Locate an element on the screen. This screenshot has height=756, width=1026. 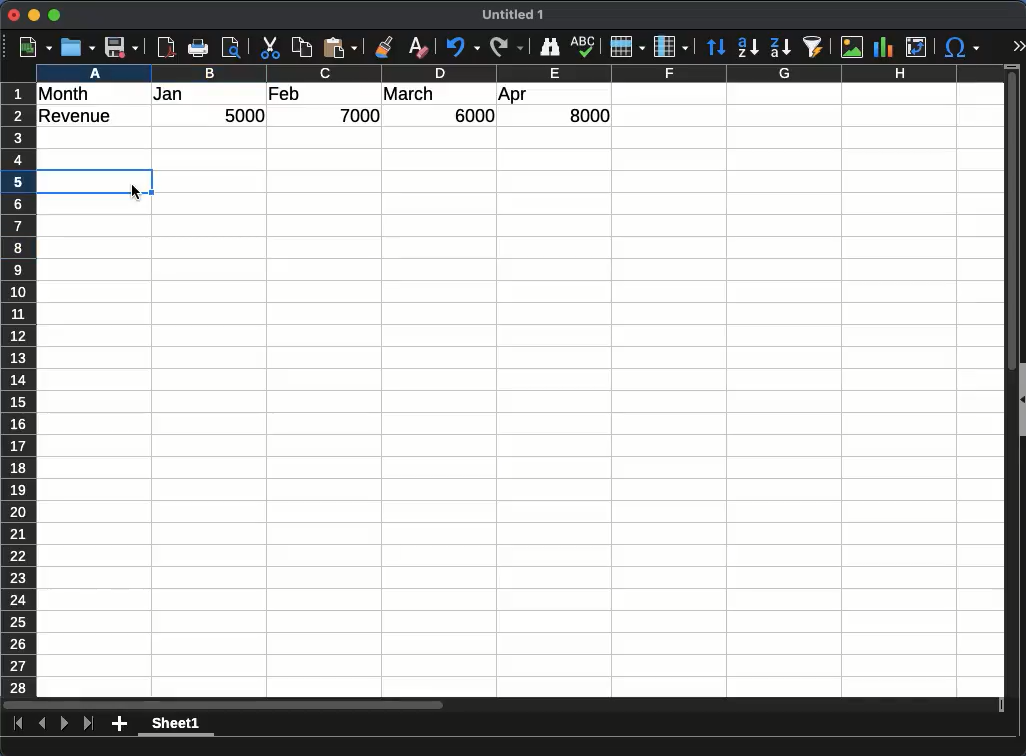
jan is located at coordinates (169, 94).